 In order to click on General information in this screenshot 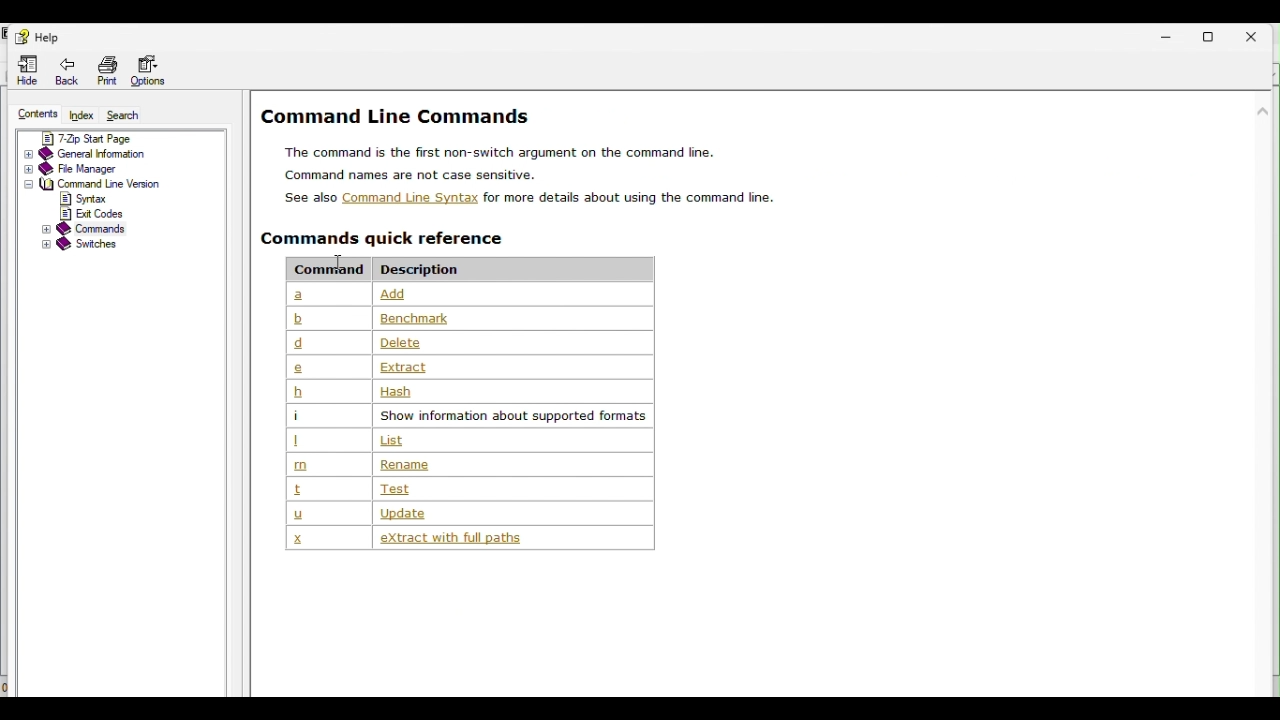, I will do `click(107, 154)`.